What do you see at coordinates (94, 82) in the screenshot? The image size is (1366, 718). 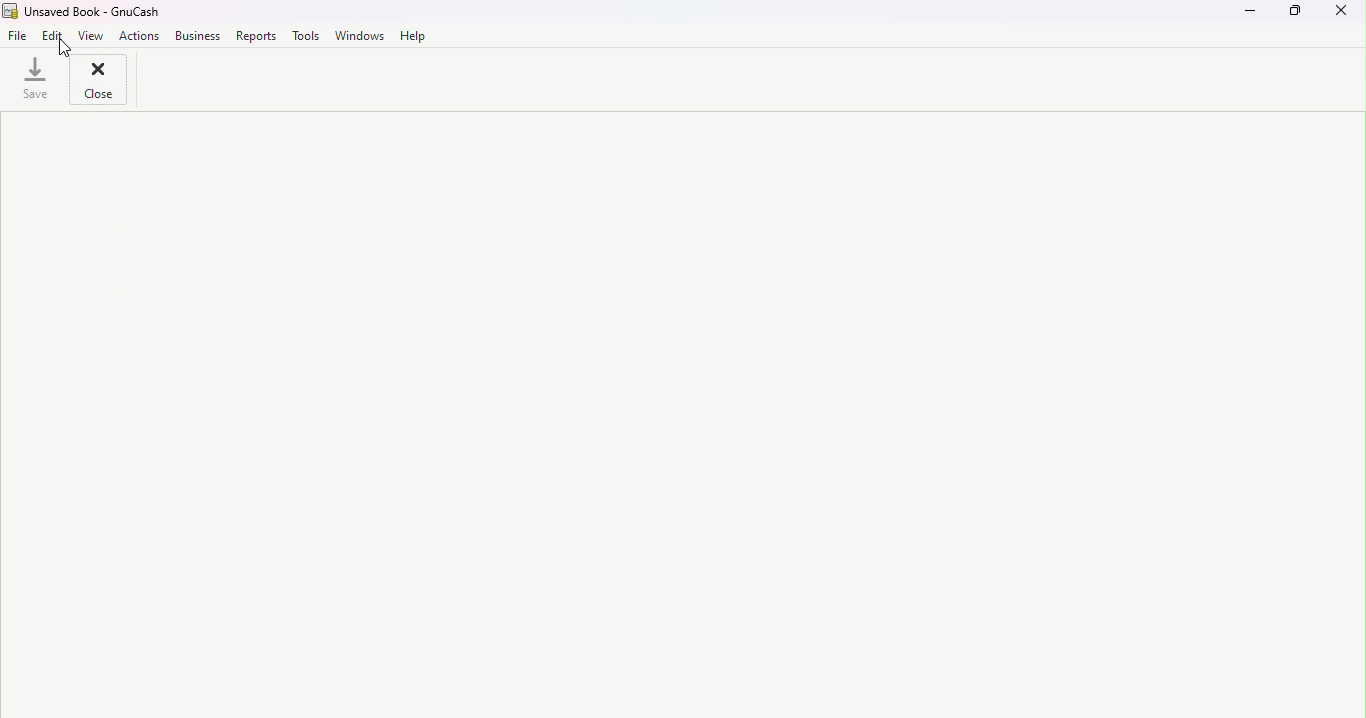 I see `Close` at bounding box center [94, 82].